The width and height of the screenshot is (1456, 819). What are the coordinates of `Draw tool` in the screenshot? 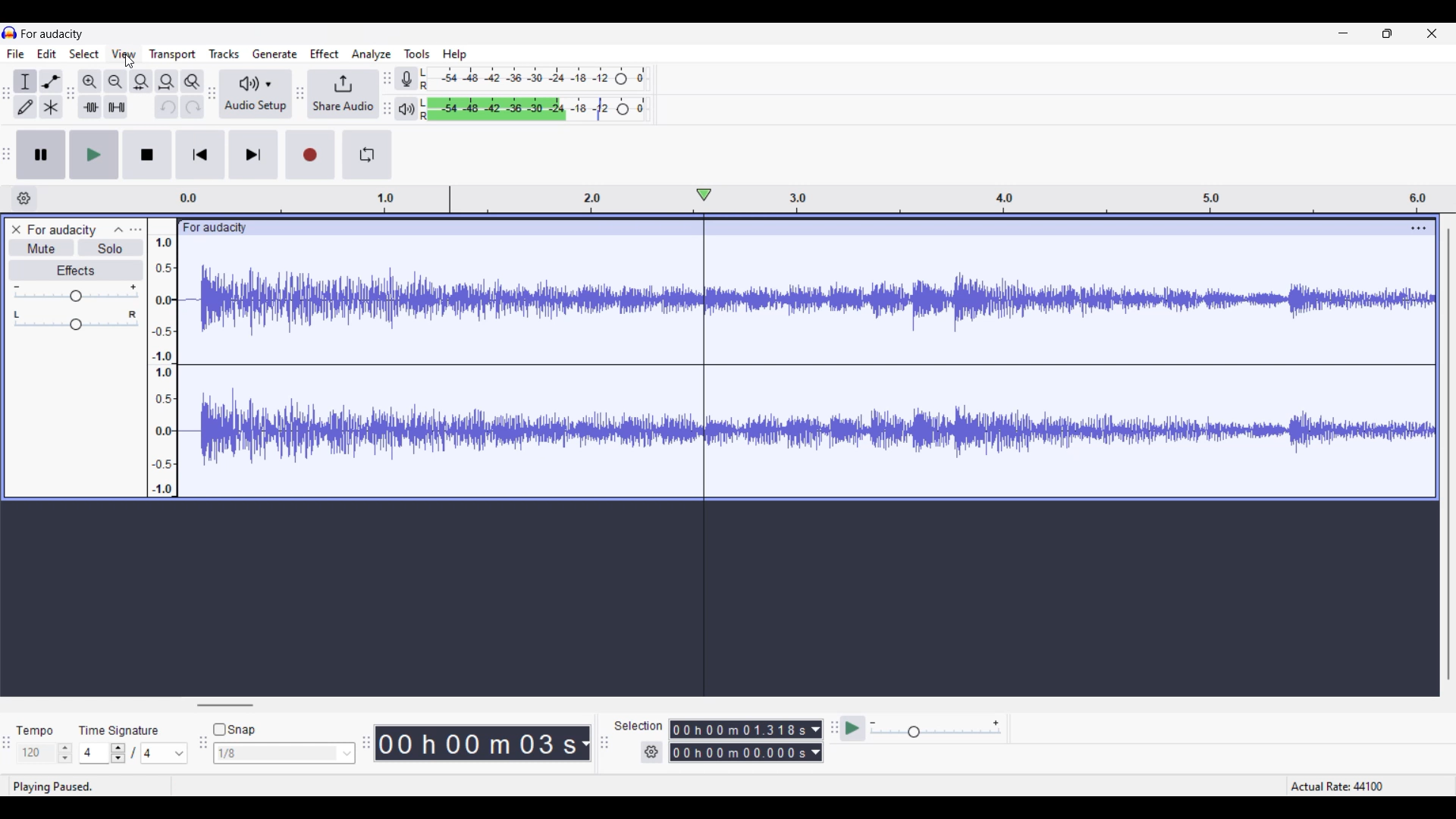 It's located at (25, 107).